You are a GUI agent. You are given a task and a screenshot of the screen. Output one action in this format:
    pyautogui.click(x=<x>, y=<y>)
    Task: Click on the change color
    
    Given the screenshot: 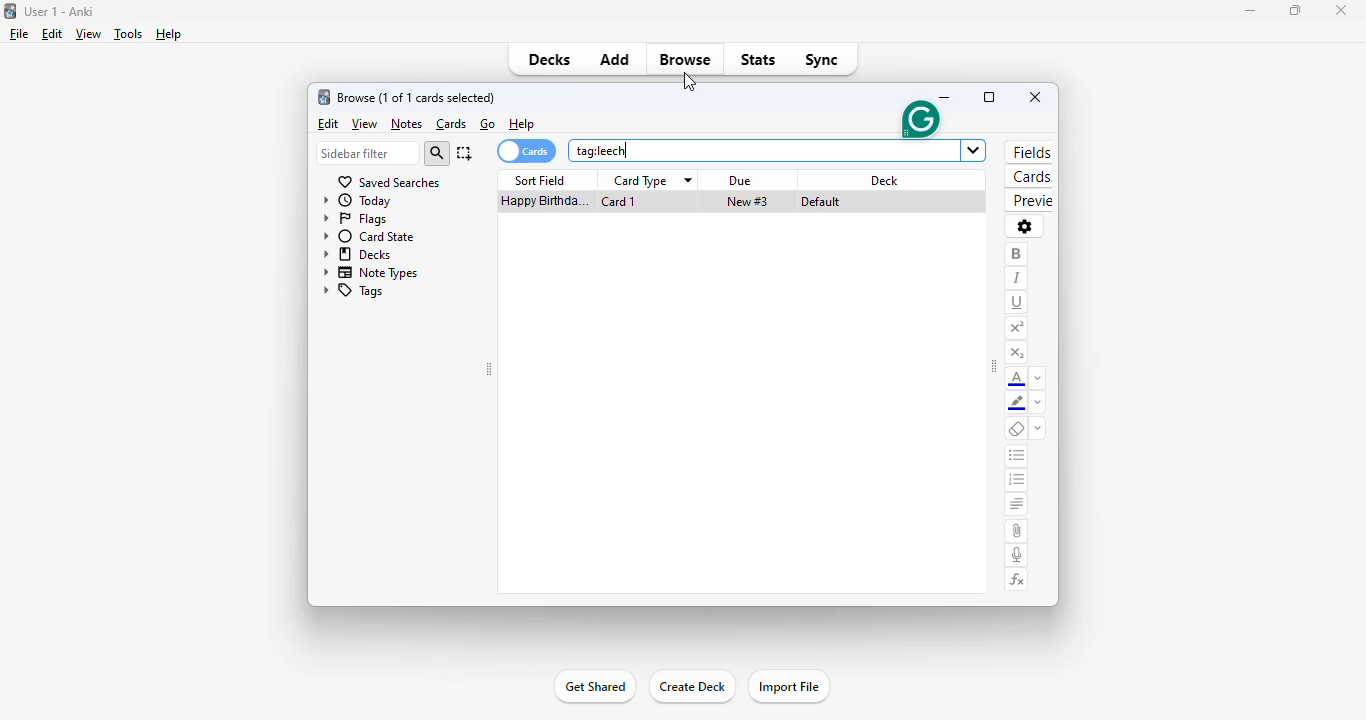 What is the action you would take?
    pyautogui.click(x=1038, y=403)
    